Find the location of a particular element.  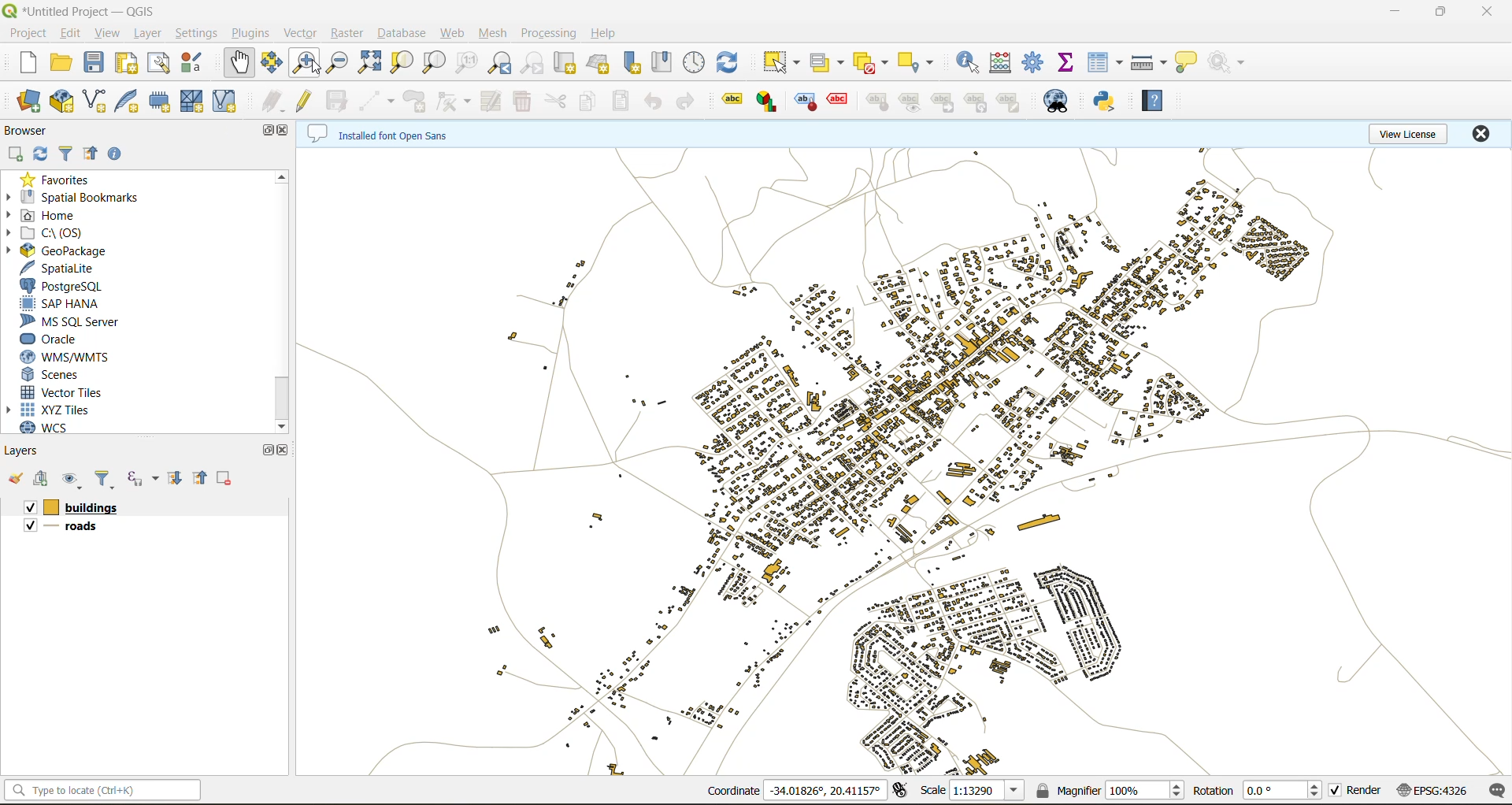

manage map is located at coordinates (75, 479).